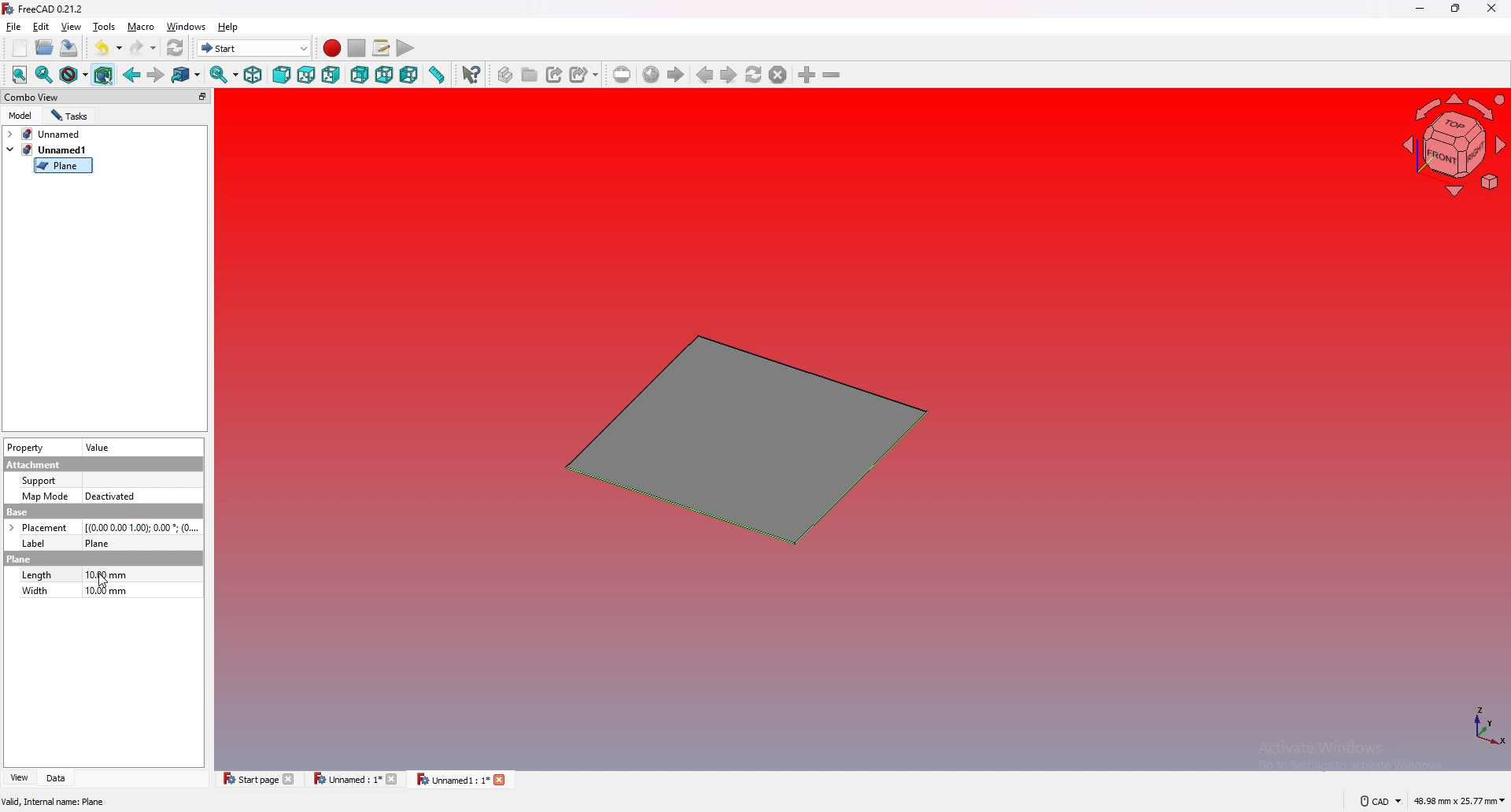 This screenshot has height=812, width=1511. What do you see at coordinates (100, 448) in the screenshot?
I see `value` at bounding box center [100, 448].